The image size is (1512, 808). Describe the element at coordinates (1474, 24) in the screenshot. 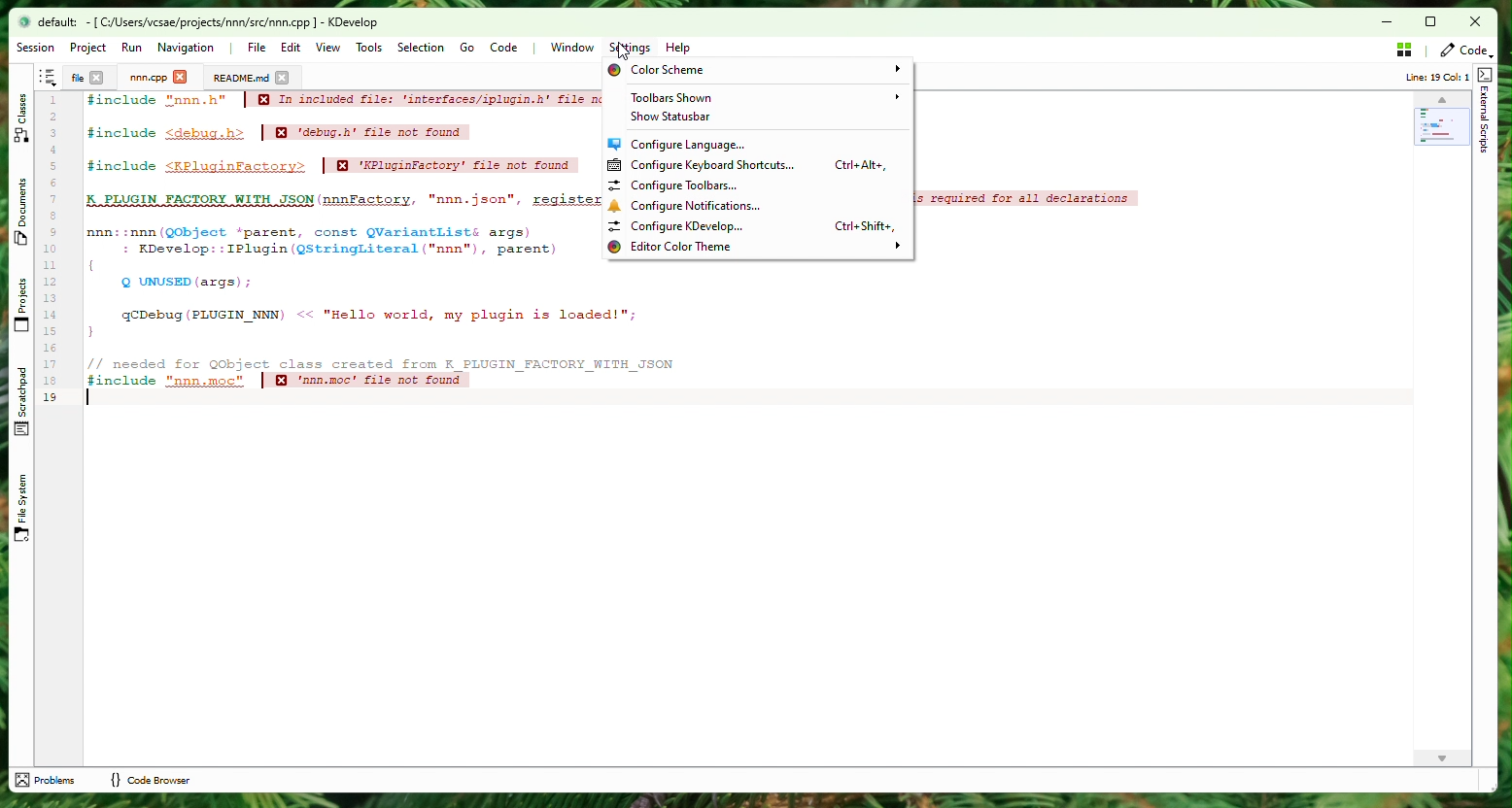

I see `Close` at that location.